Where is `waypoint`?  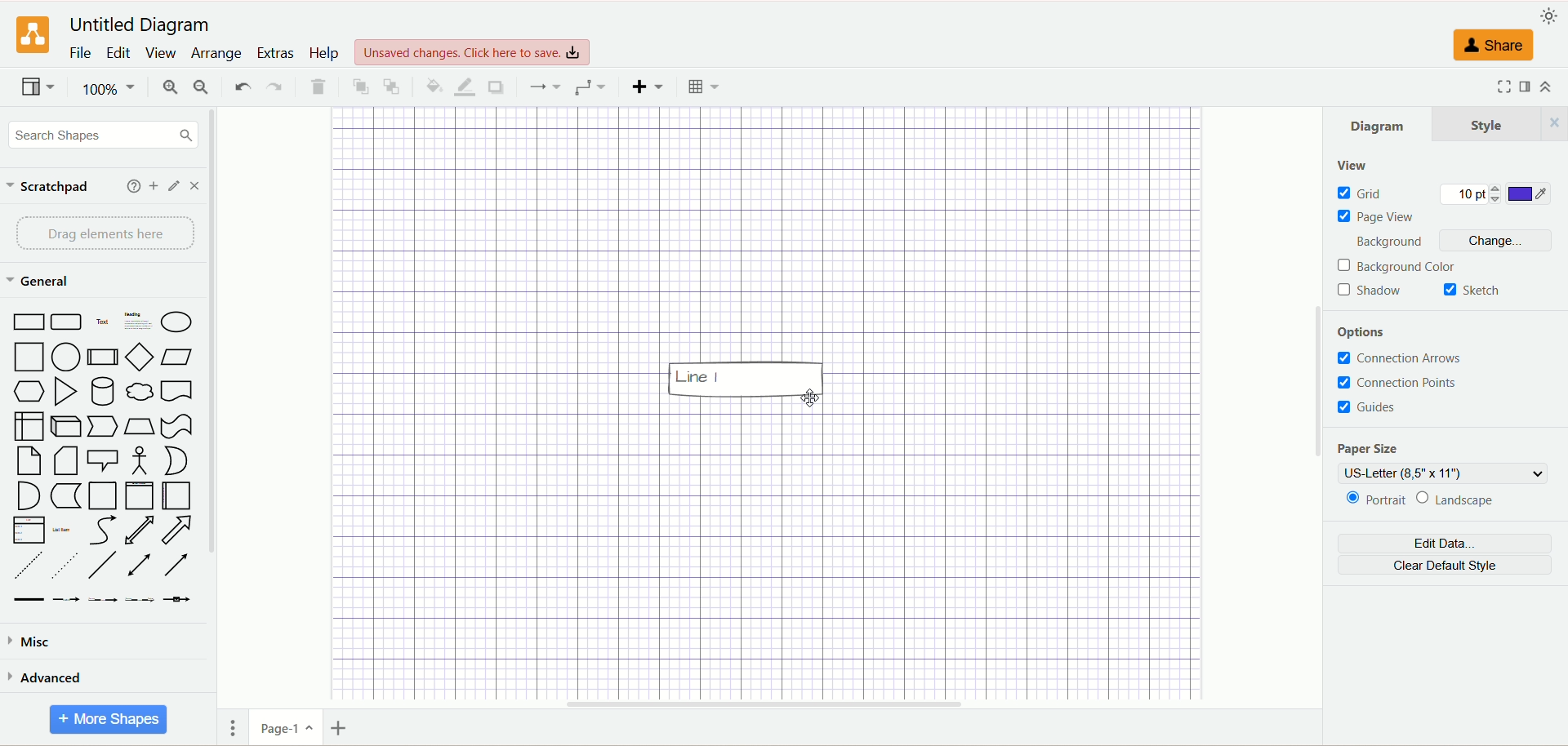 waypoint is located at coordinates (589, 87).